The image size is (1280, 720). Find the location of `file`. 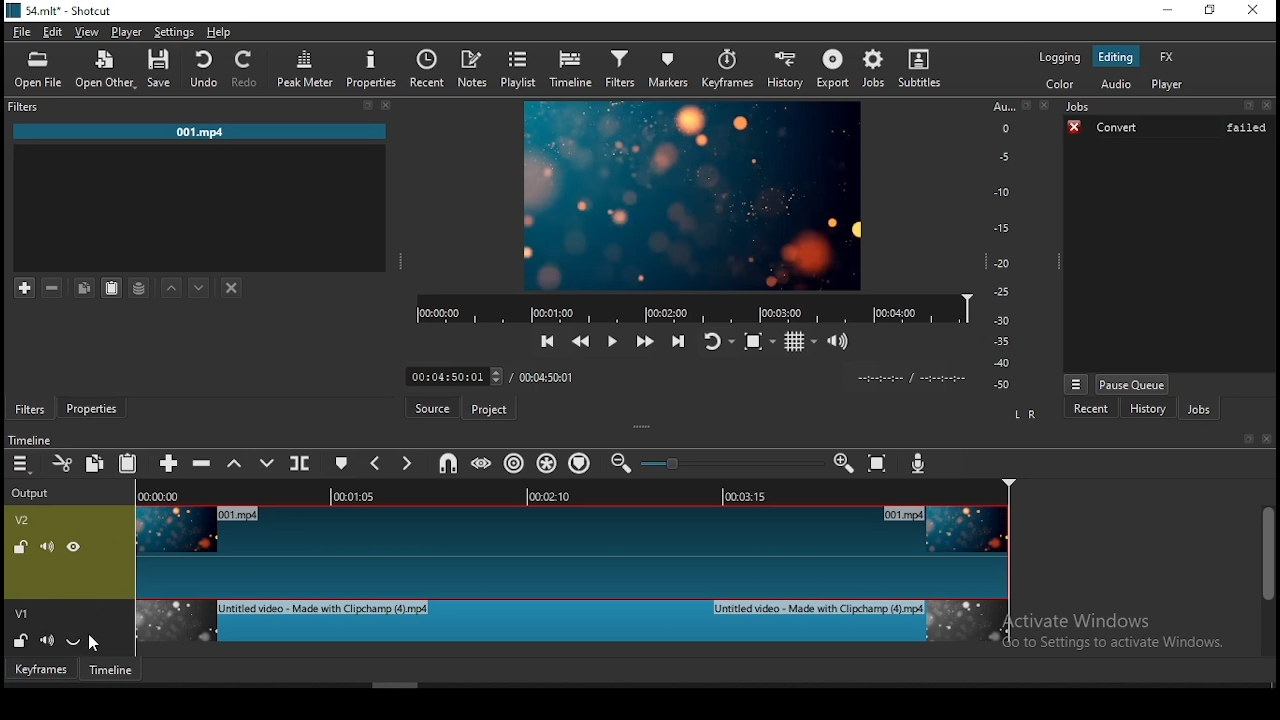

file is located at coordinates (23, 32).